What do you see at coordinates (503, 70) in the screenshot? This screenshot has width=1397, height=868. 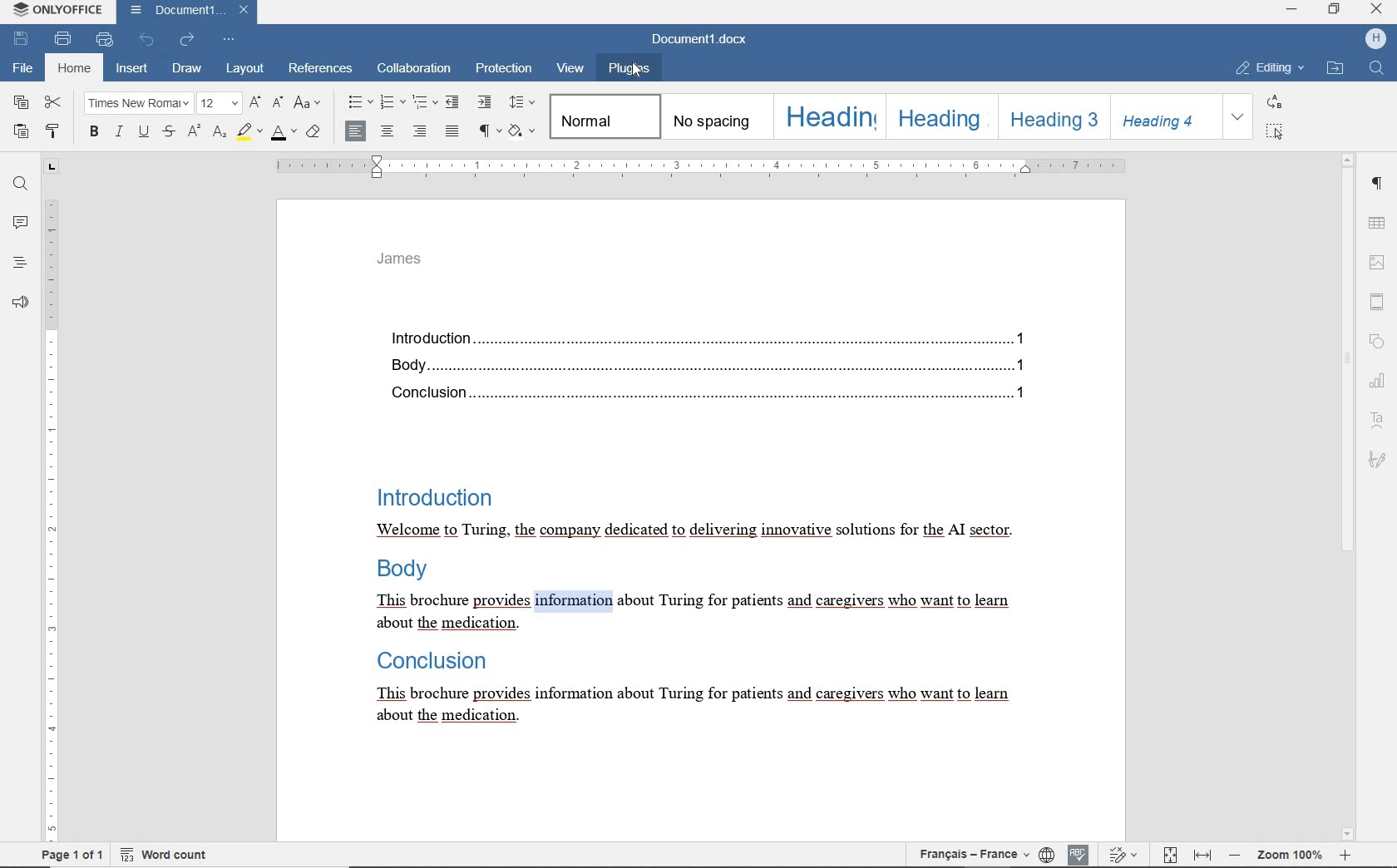 I see `PROTECTION` at bounding box center [503, 70].